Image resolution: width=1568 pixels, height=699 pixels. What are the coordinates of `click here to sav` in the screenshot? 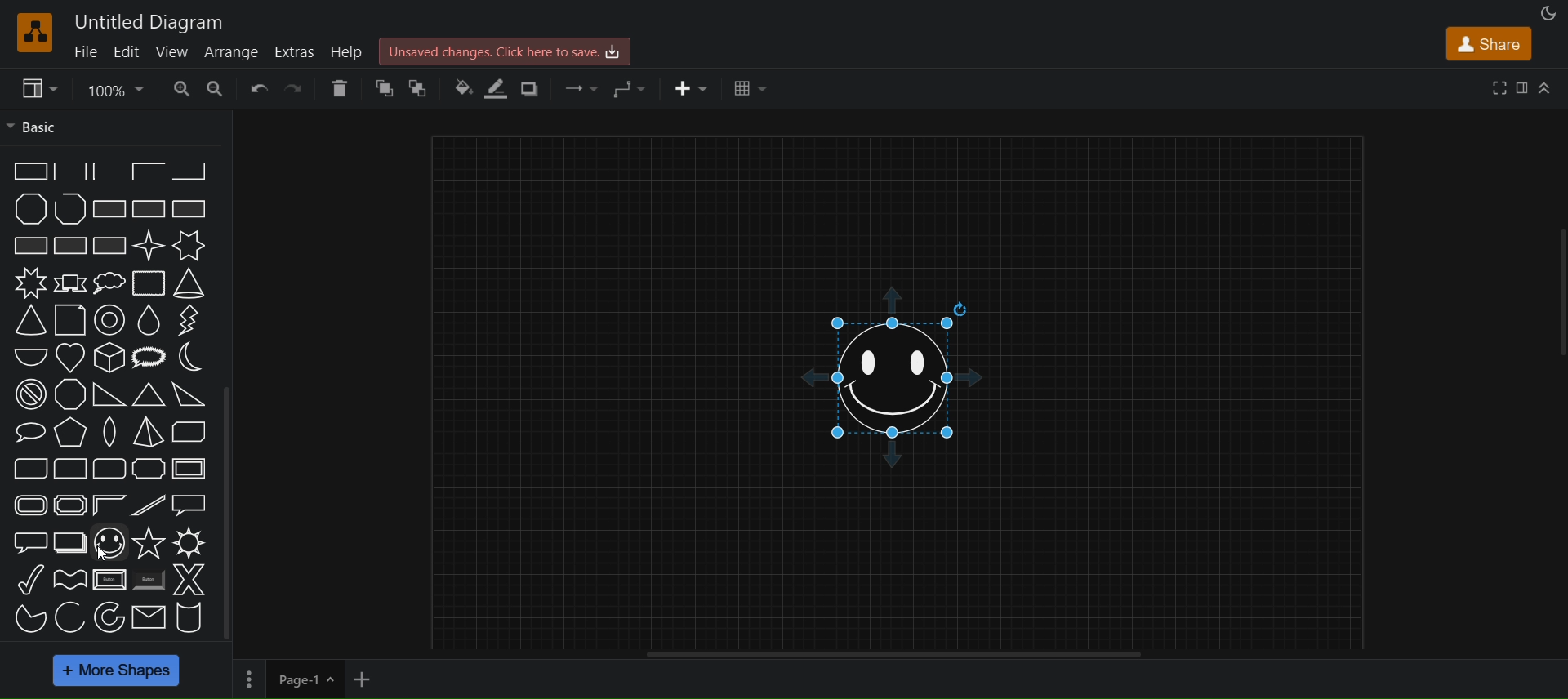 It's located at (502, 51).